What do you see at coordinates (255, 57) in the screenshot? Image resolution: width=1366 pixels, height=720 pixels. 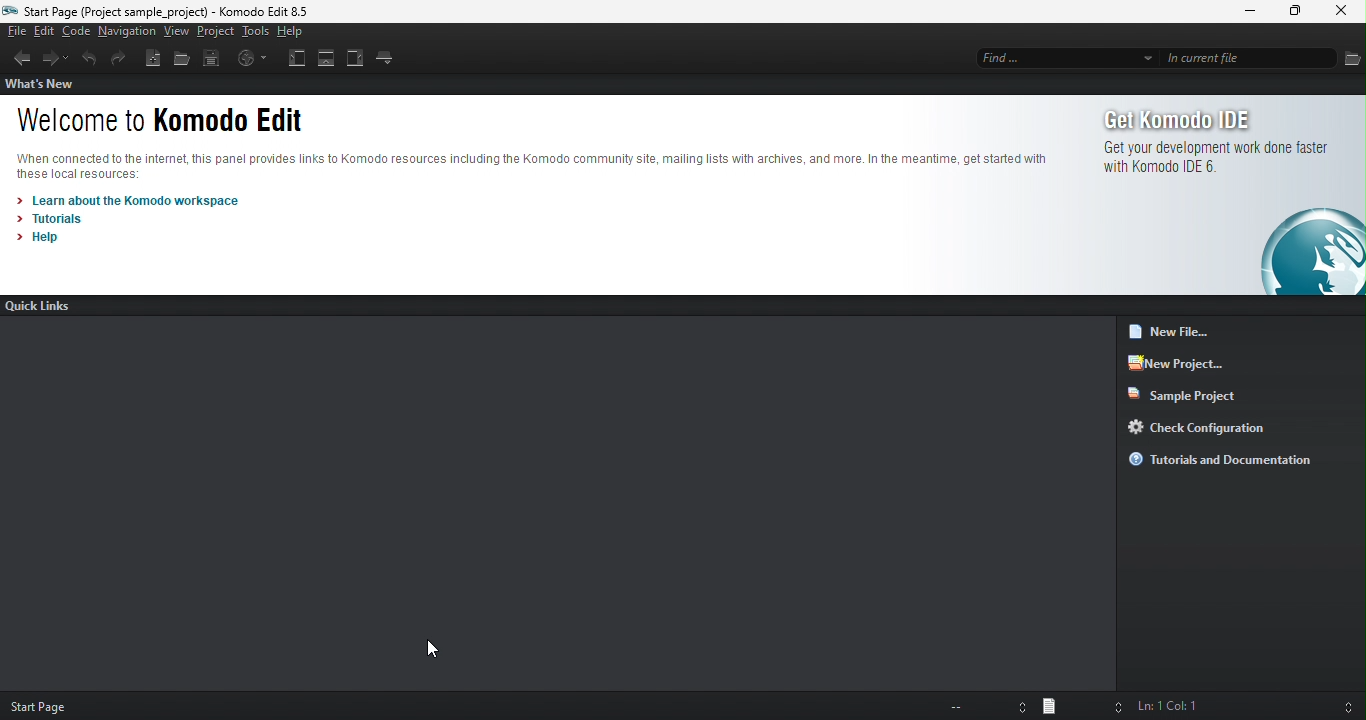 I see `browse` at bounding box center [255, 57].